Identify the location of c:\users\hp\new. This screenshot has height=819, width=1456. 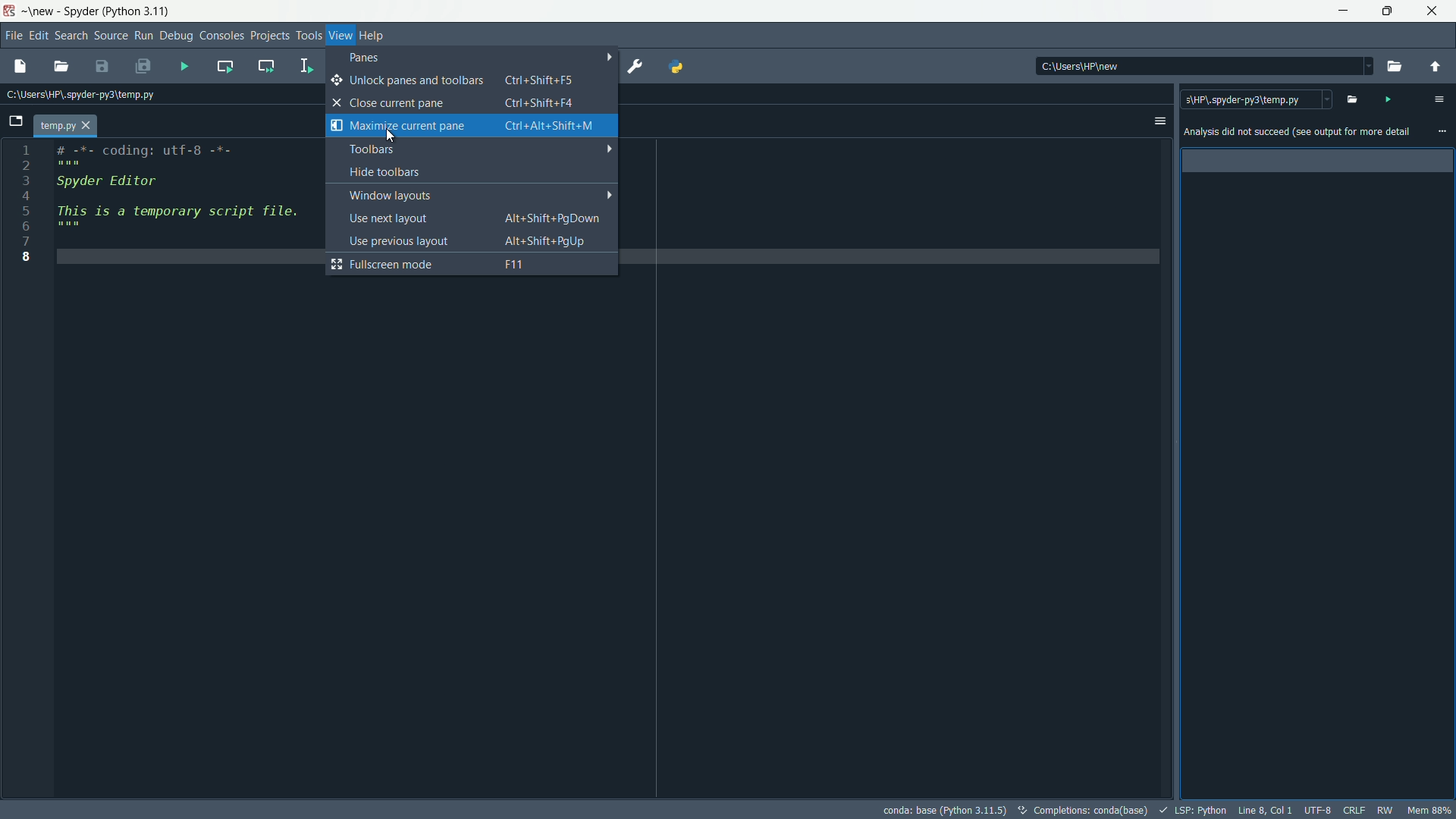
(1081, 67).